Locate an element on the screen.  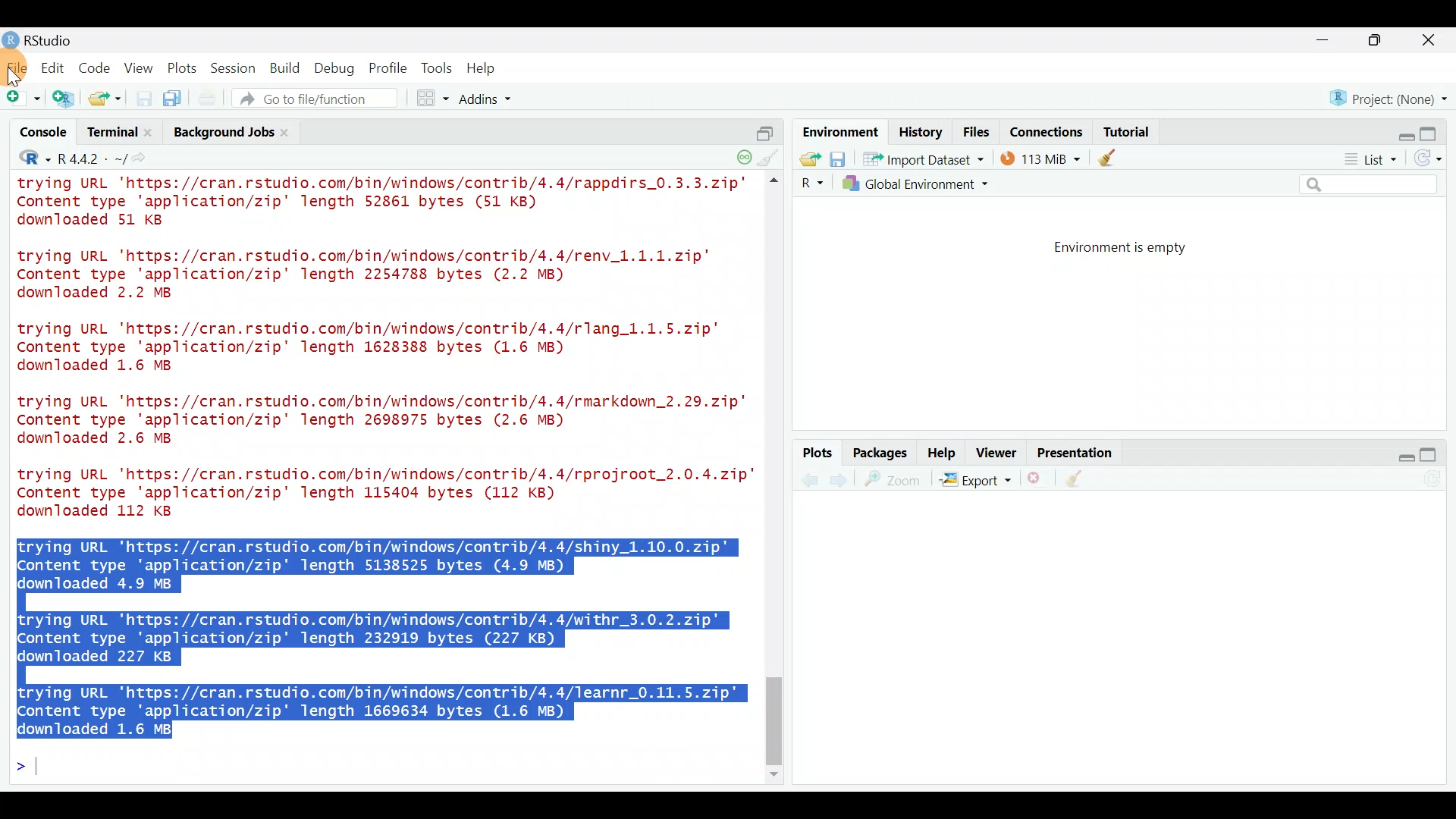
Create a project is located at coordinates (65, 99).